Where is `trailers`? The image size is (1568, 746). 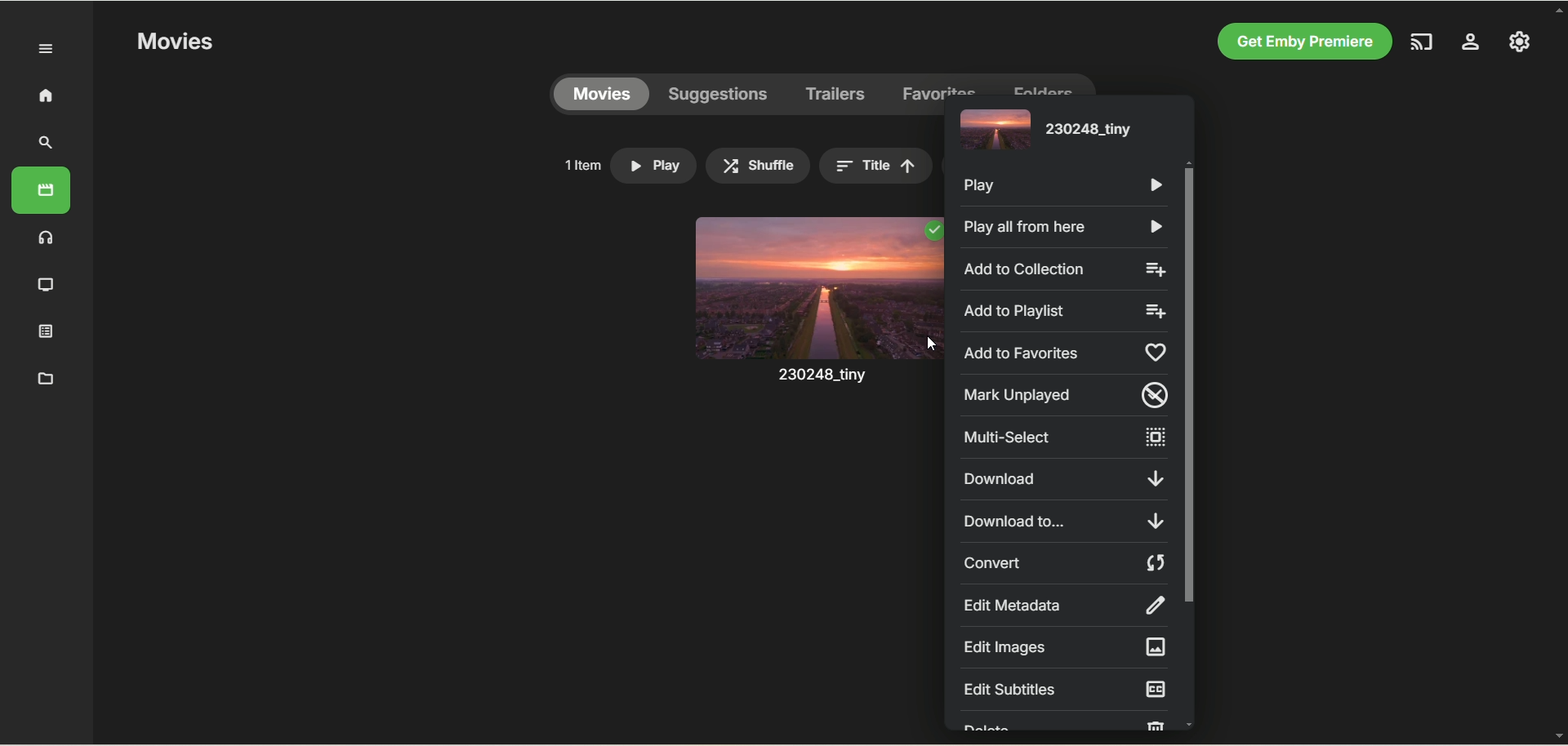
trailers is located at coordinates (836, 95).